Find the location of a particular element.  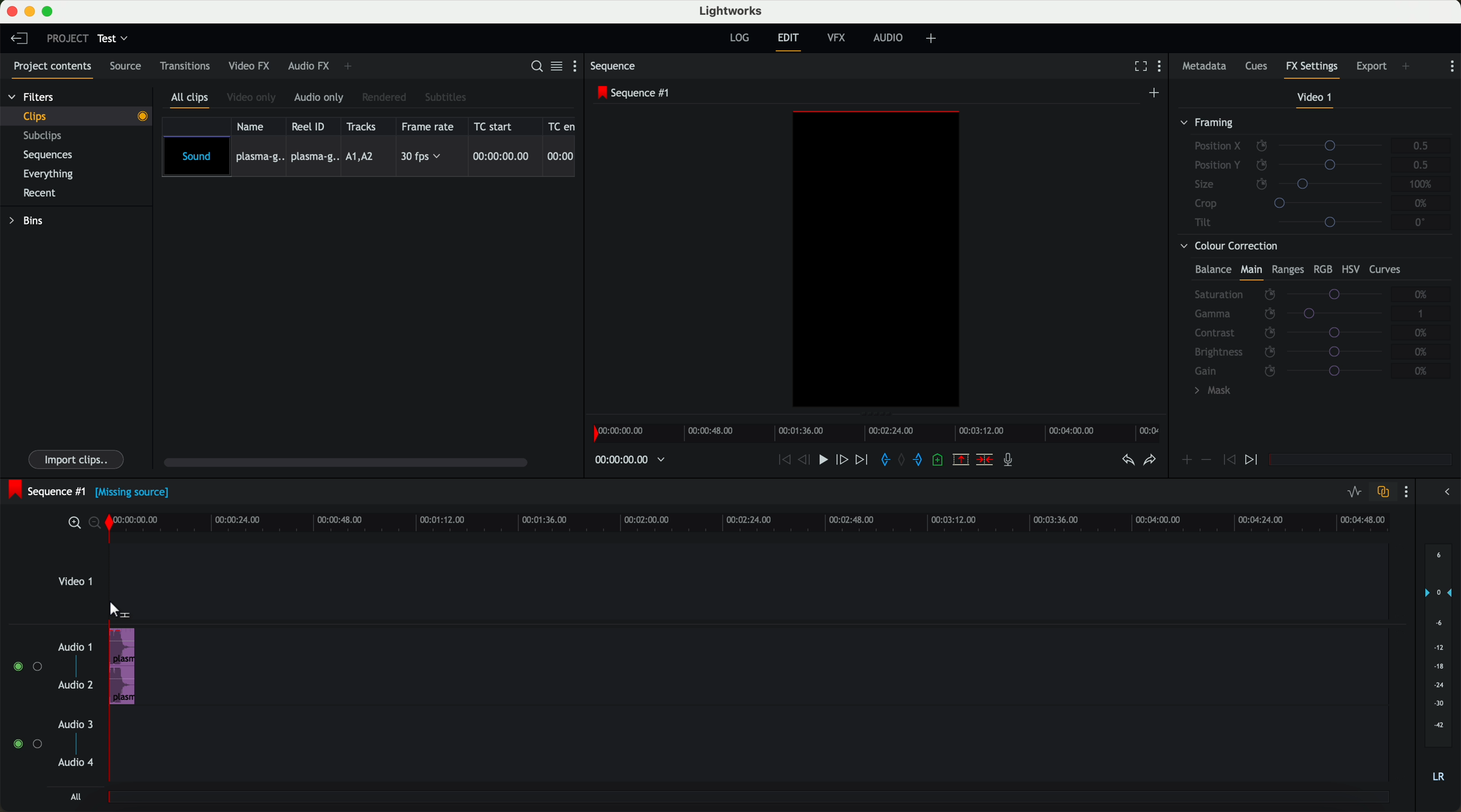

exit is located at coordinates (788, 42).